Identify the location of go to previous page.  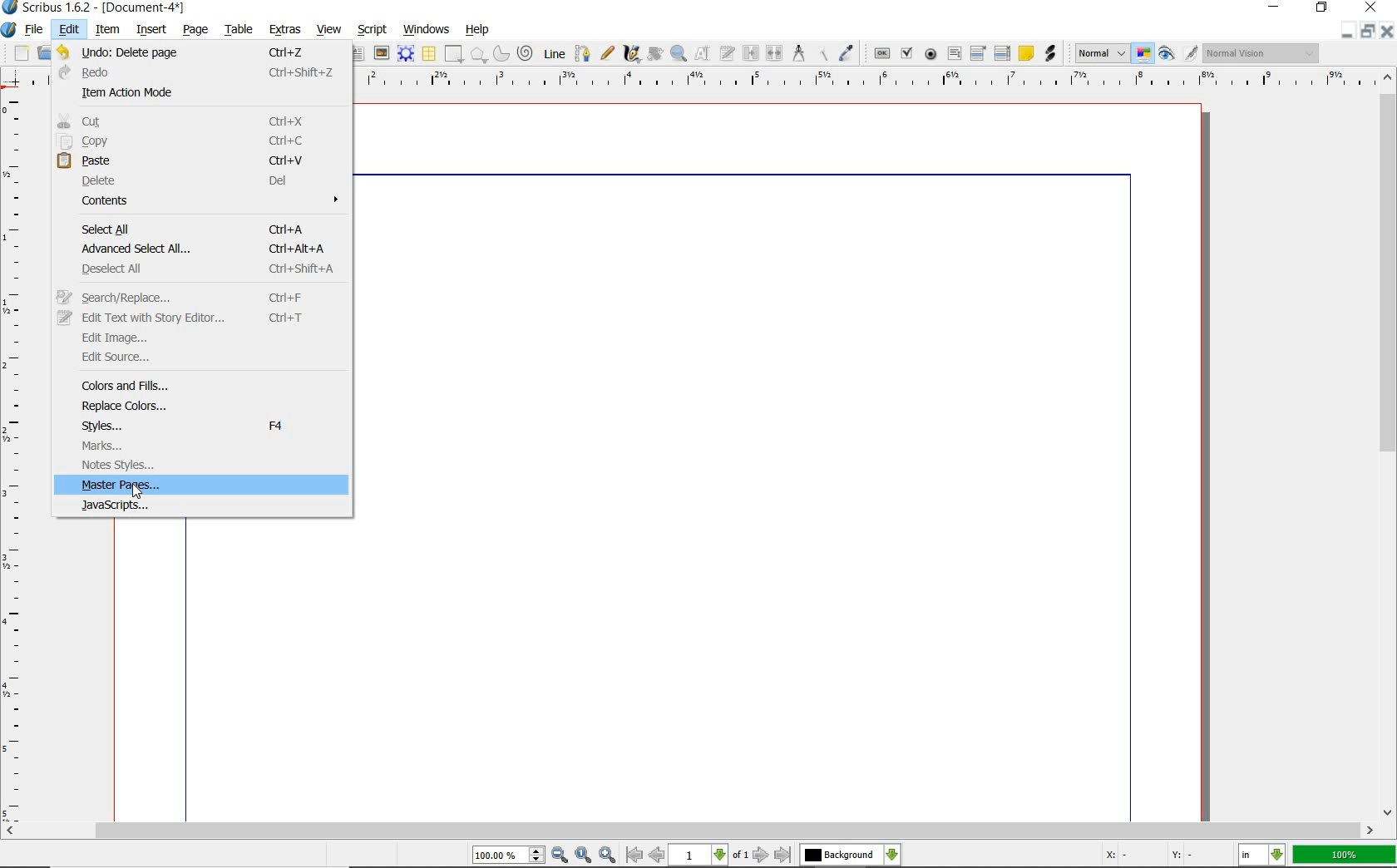
(659, 856).